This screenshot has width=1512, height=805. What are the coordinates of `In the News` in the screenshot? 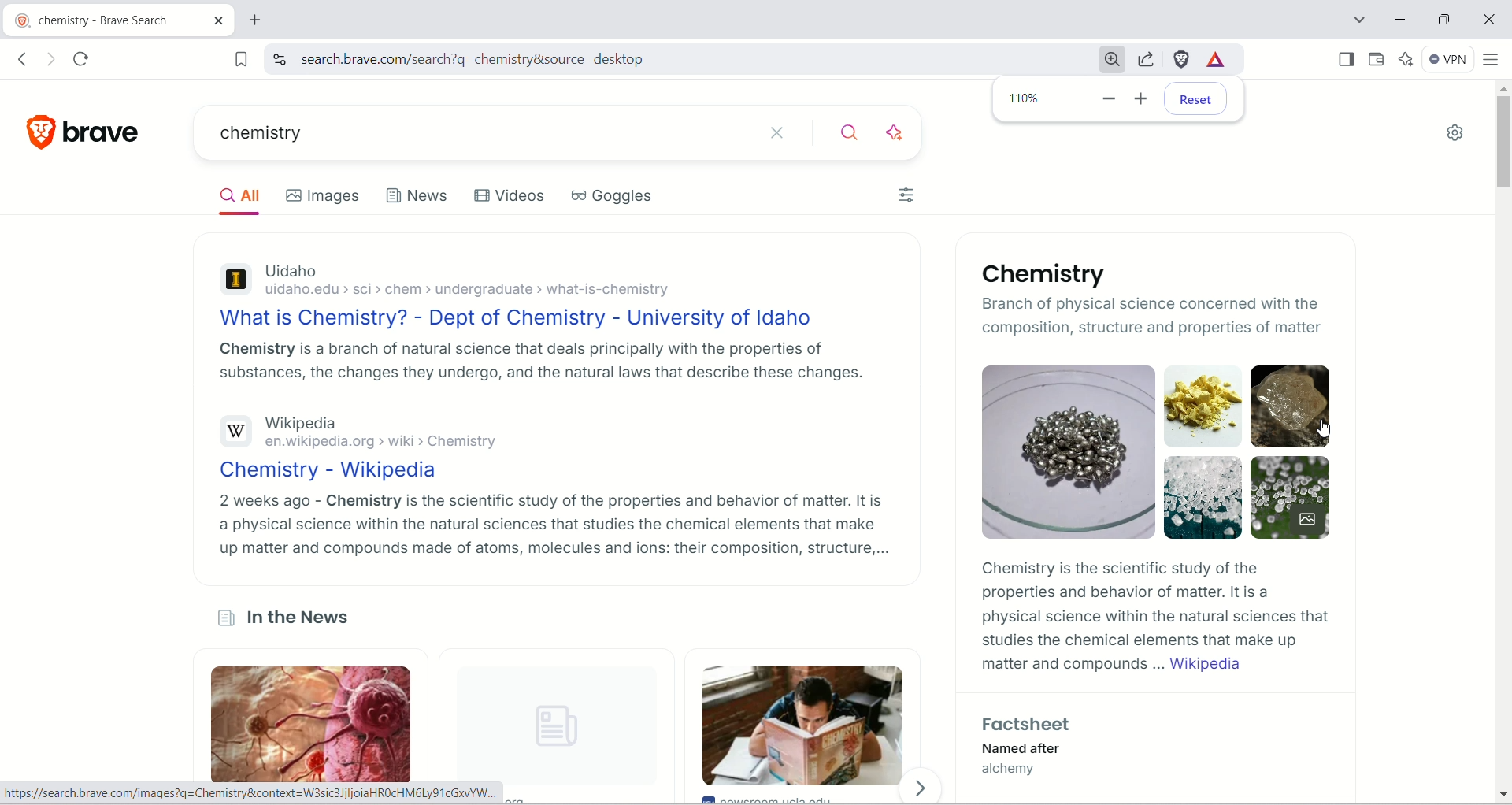 It's located at (302, 616).